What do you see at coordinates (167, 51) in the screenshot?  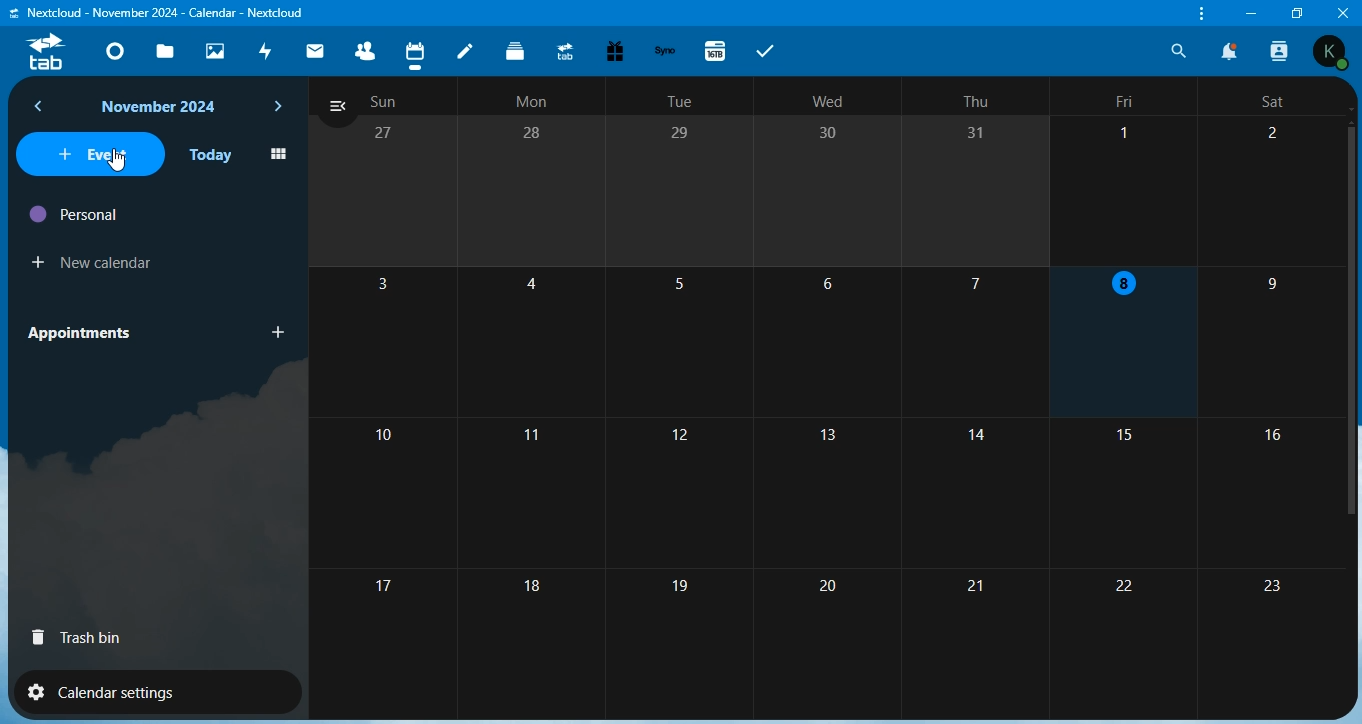 I see `files` at bounding box center [167, 51].